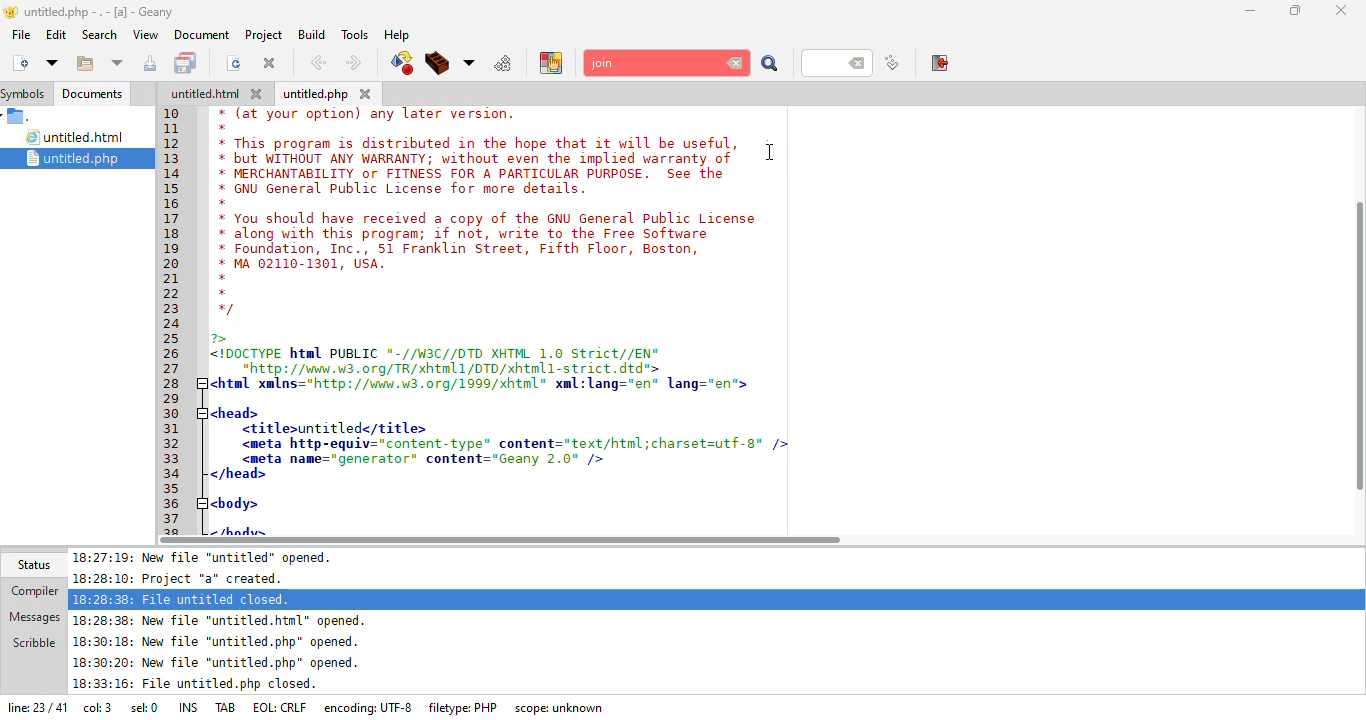  I want to click on 18:33:16: file untitled.php closed., so click(195, 686).